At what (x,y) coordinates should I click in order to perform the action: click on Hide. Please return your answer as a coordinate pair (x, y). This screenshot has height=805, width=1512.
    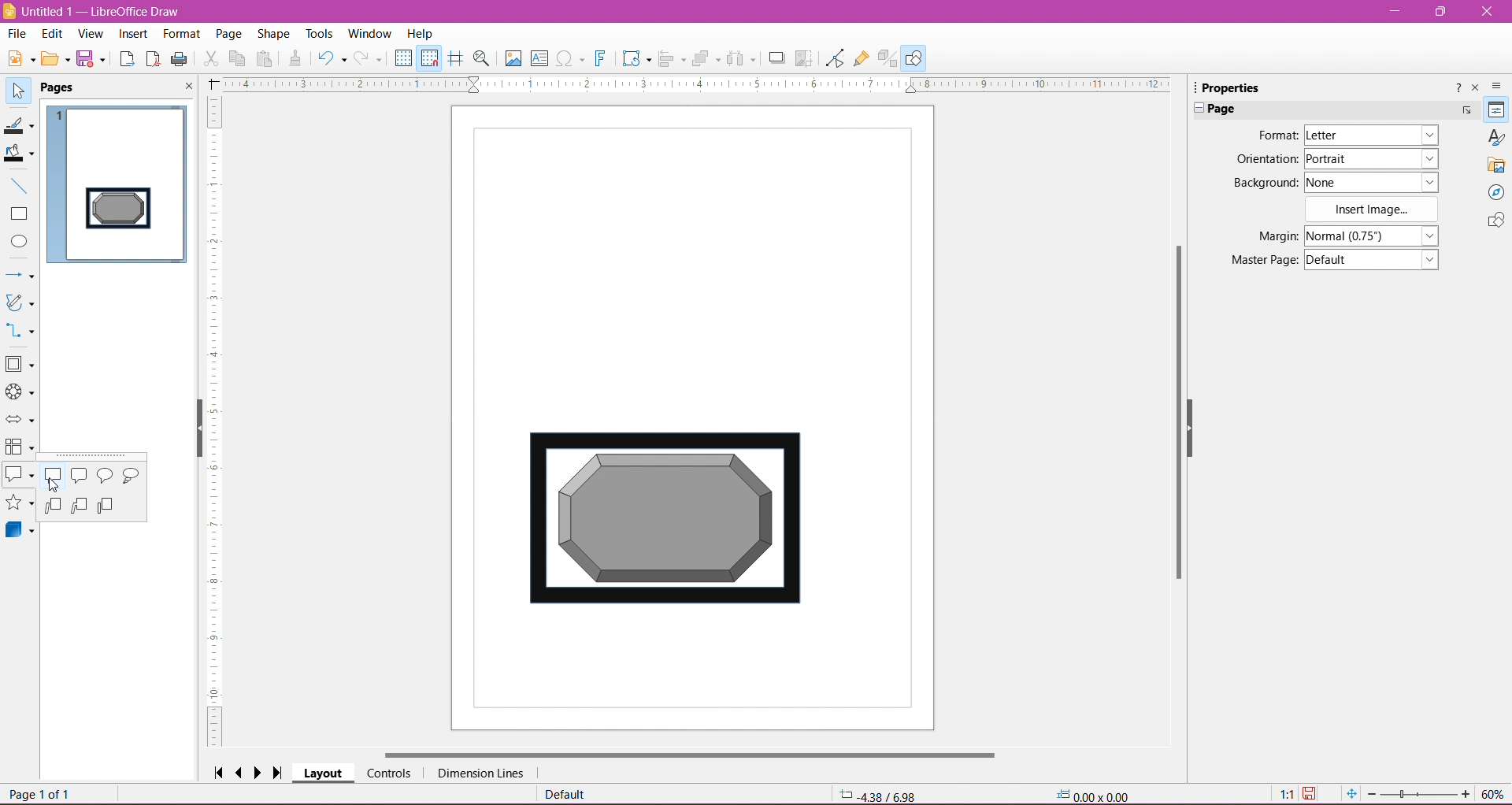
    Looking at the image, I should click on (194, 432).